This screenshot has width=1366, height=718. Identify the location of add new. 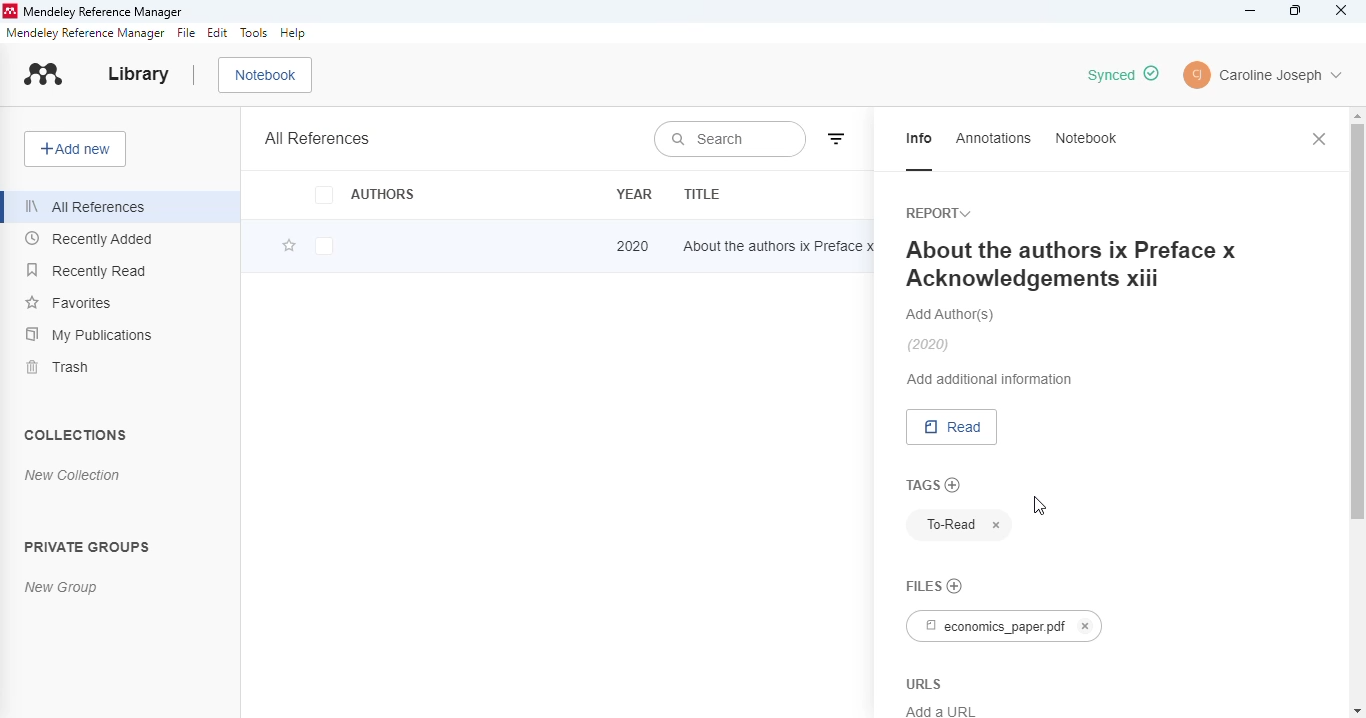
(75, 149).